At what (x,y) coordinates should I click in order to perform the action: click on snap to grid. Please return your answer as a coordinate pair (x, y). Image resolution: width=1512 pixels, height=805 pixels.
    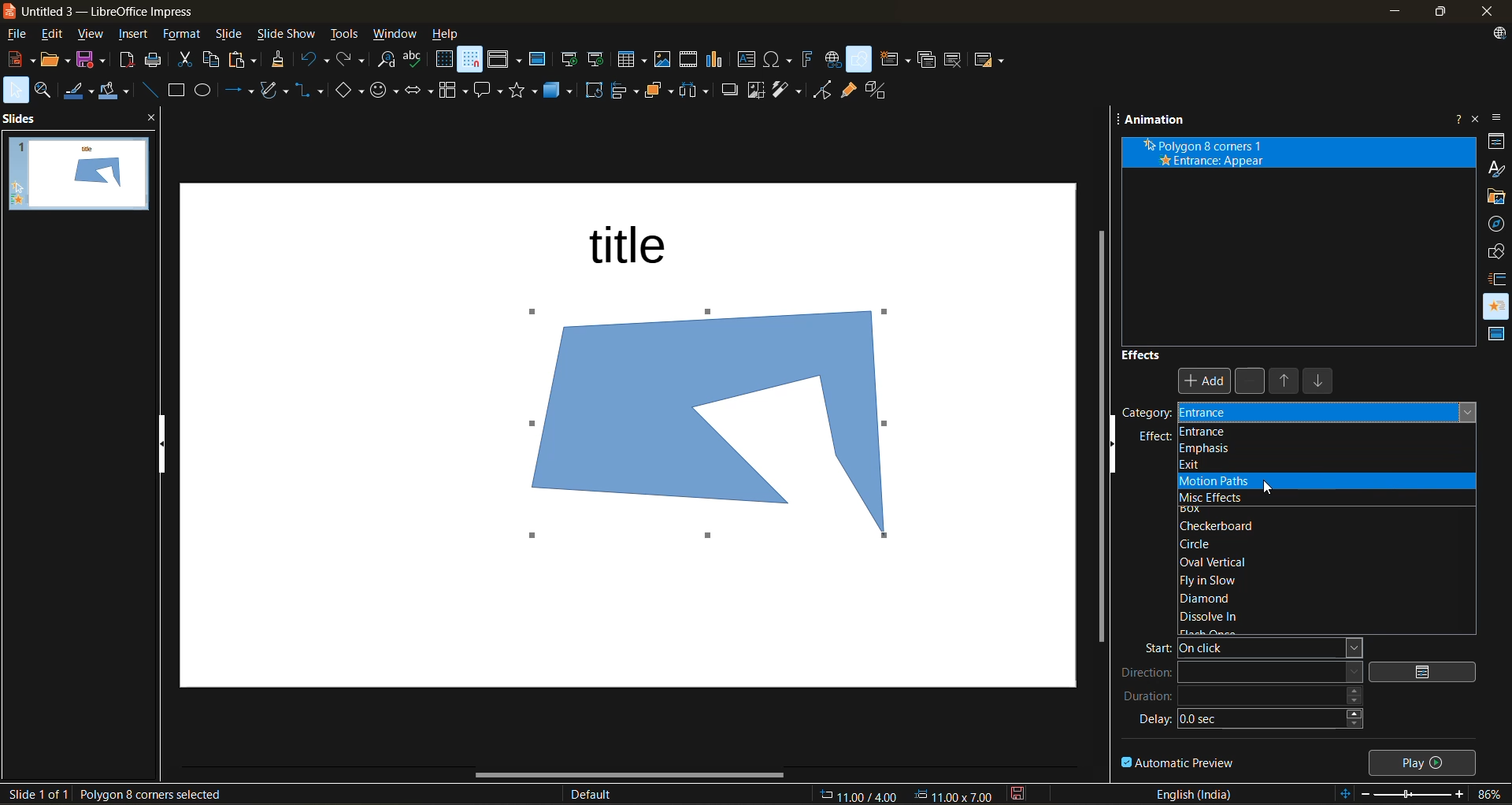
    Looking at the image, I should click on (469, 61).